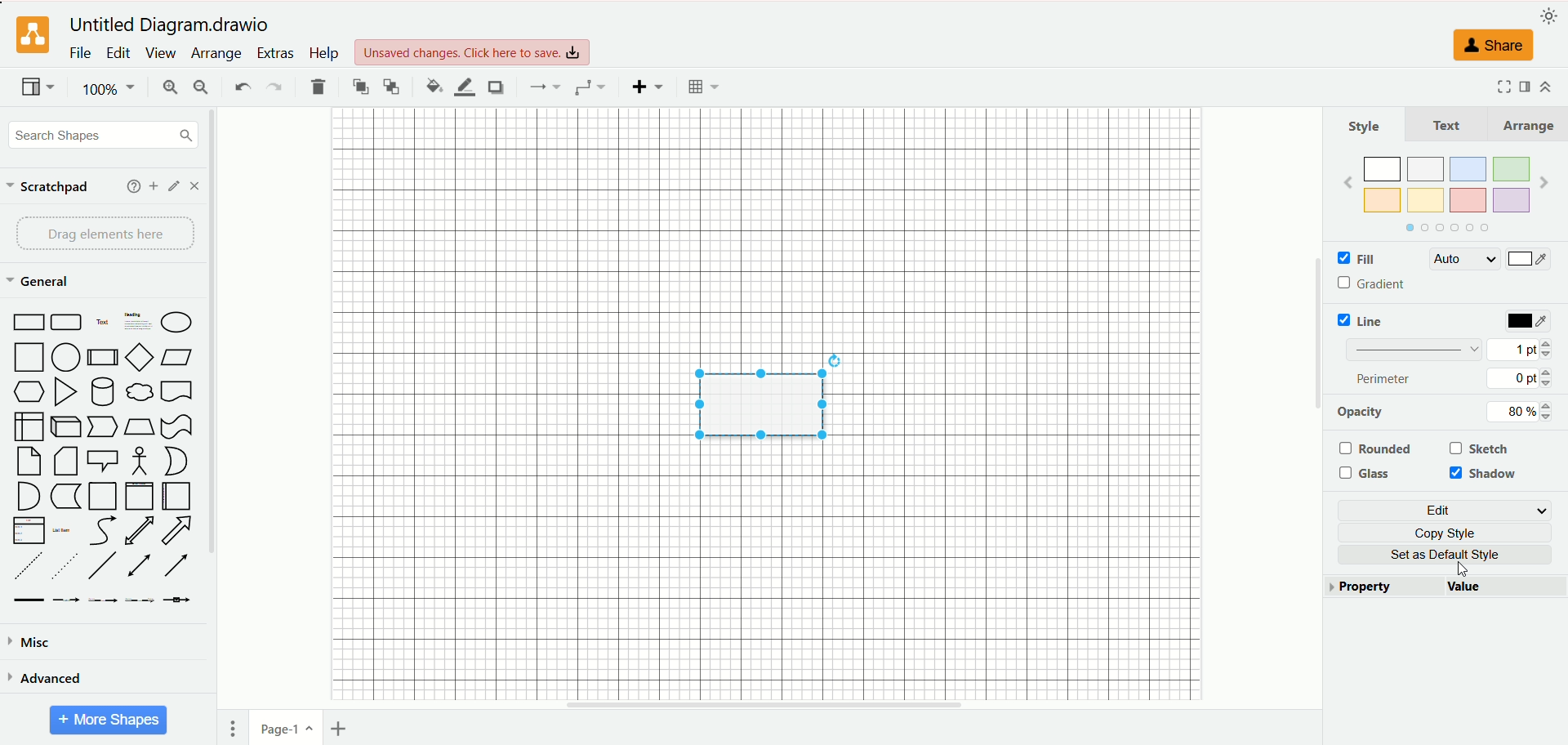 The width and height of the screenshot is (1568, 745). I want to click on undo, so click(241, 85).